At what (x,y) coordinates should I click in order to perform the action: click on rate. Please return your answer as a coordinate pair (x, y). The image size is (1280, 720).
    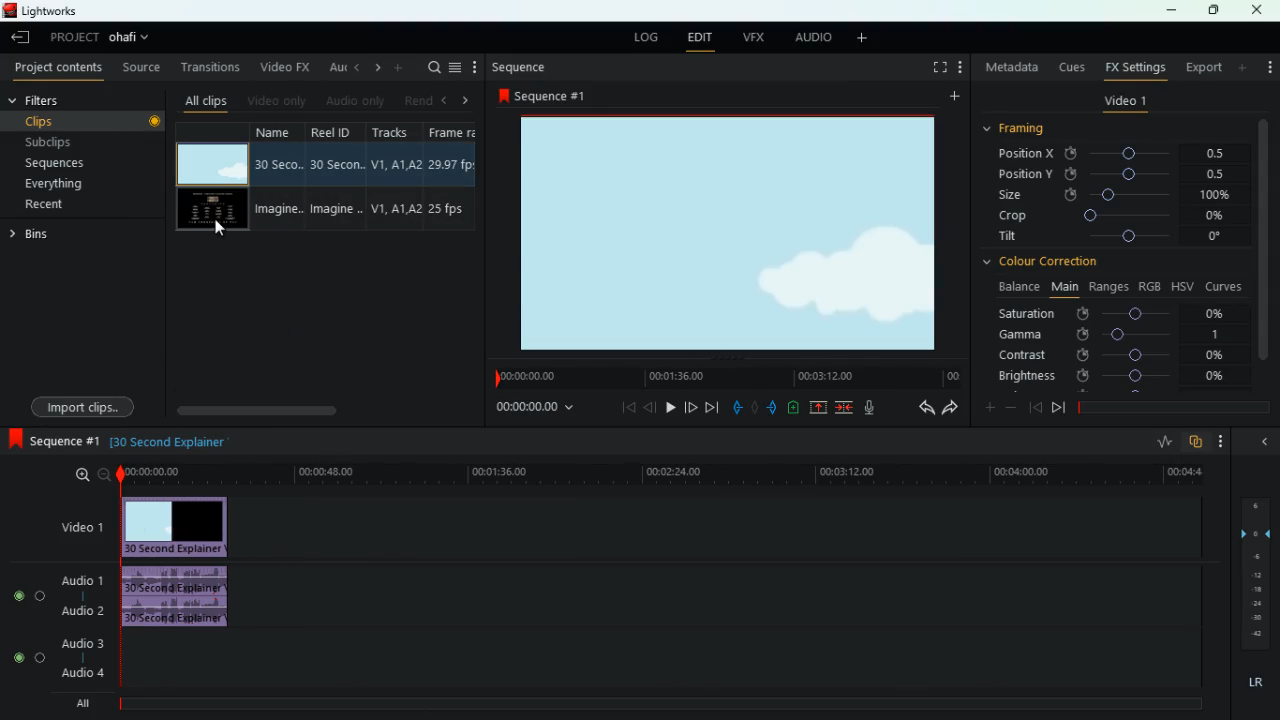
    Looking at the image, I should click on (1163, 444).